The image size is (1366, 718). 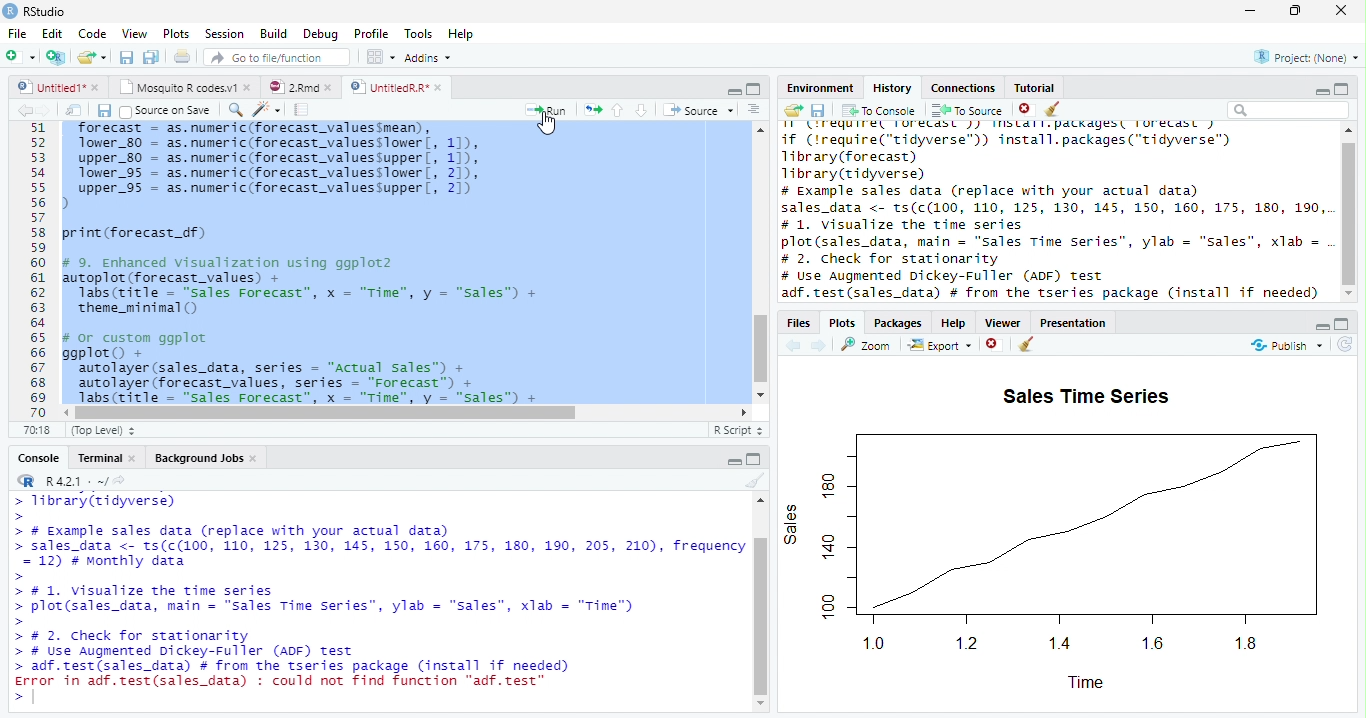 I want to click on Go to file/function, so click(x=277, y=57).